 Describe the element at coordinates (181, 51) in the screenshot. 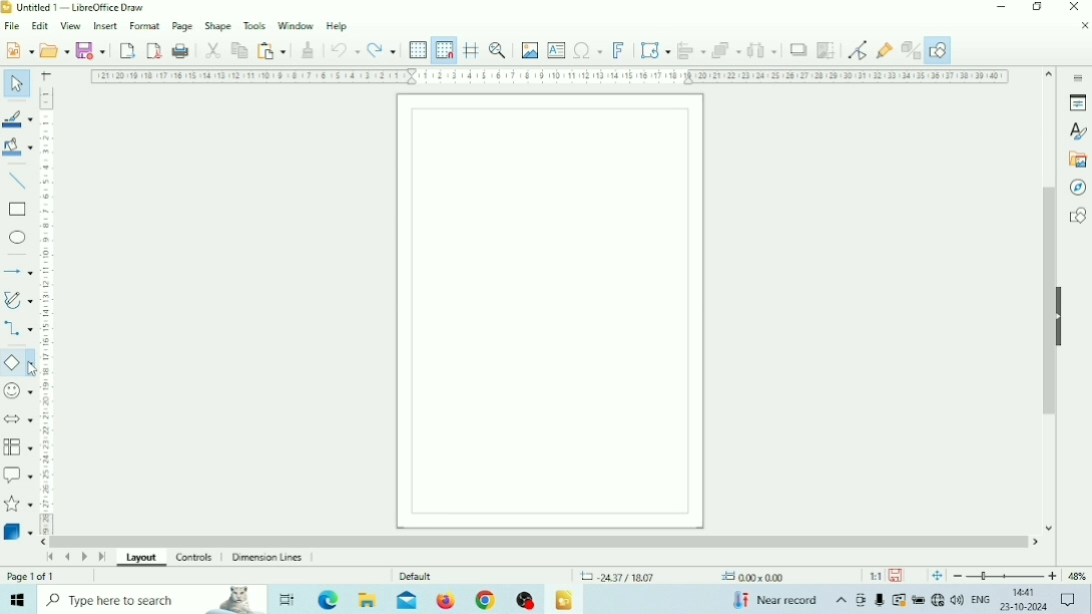

I see `Print` at that location.